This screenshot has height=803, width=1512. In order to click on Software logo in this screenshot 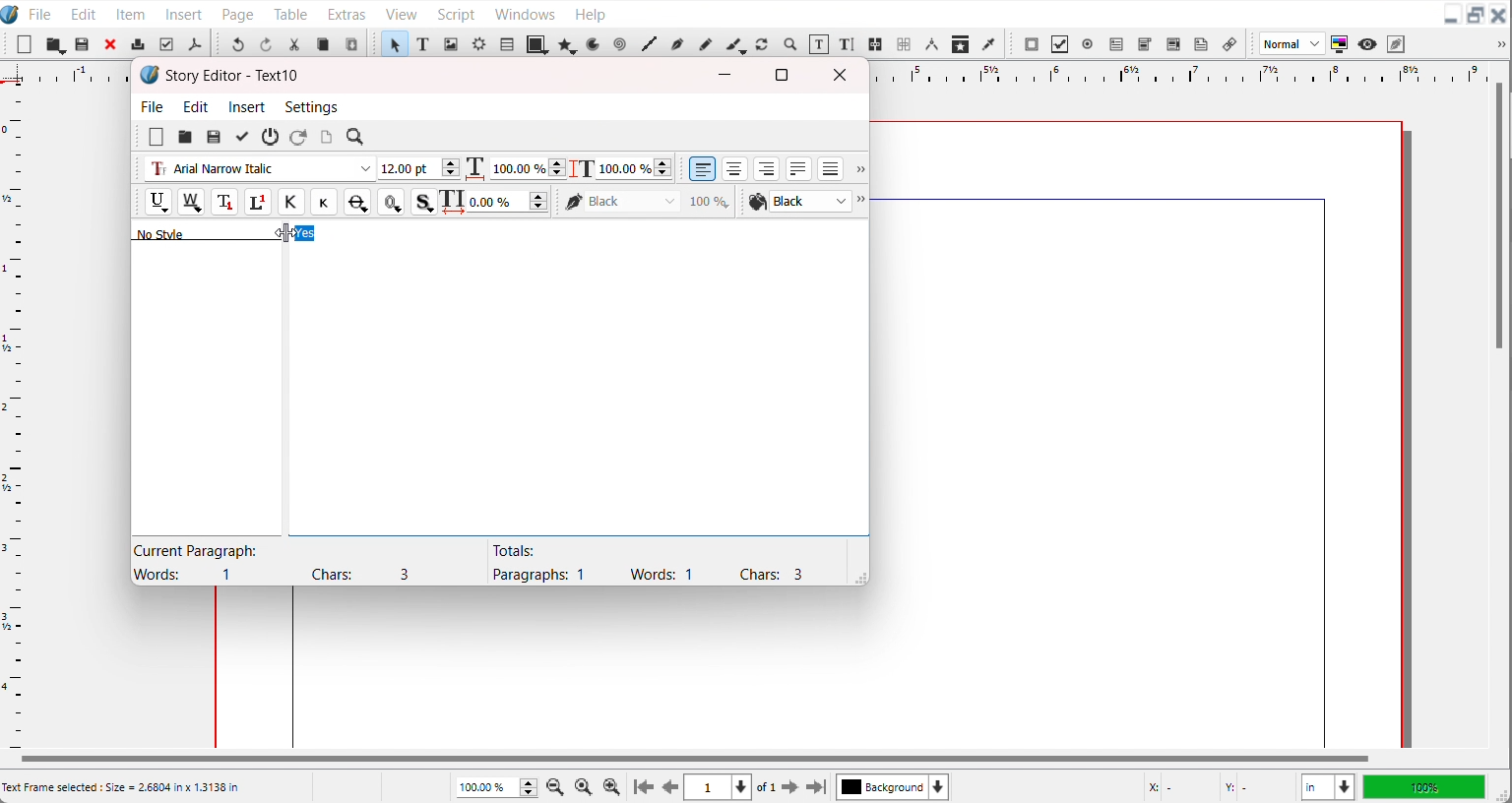, I will do `click(150, 75)`.